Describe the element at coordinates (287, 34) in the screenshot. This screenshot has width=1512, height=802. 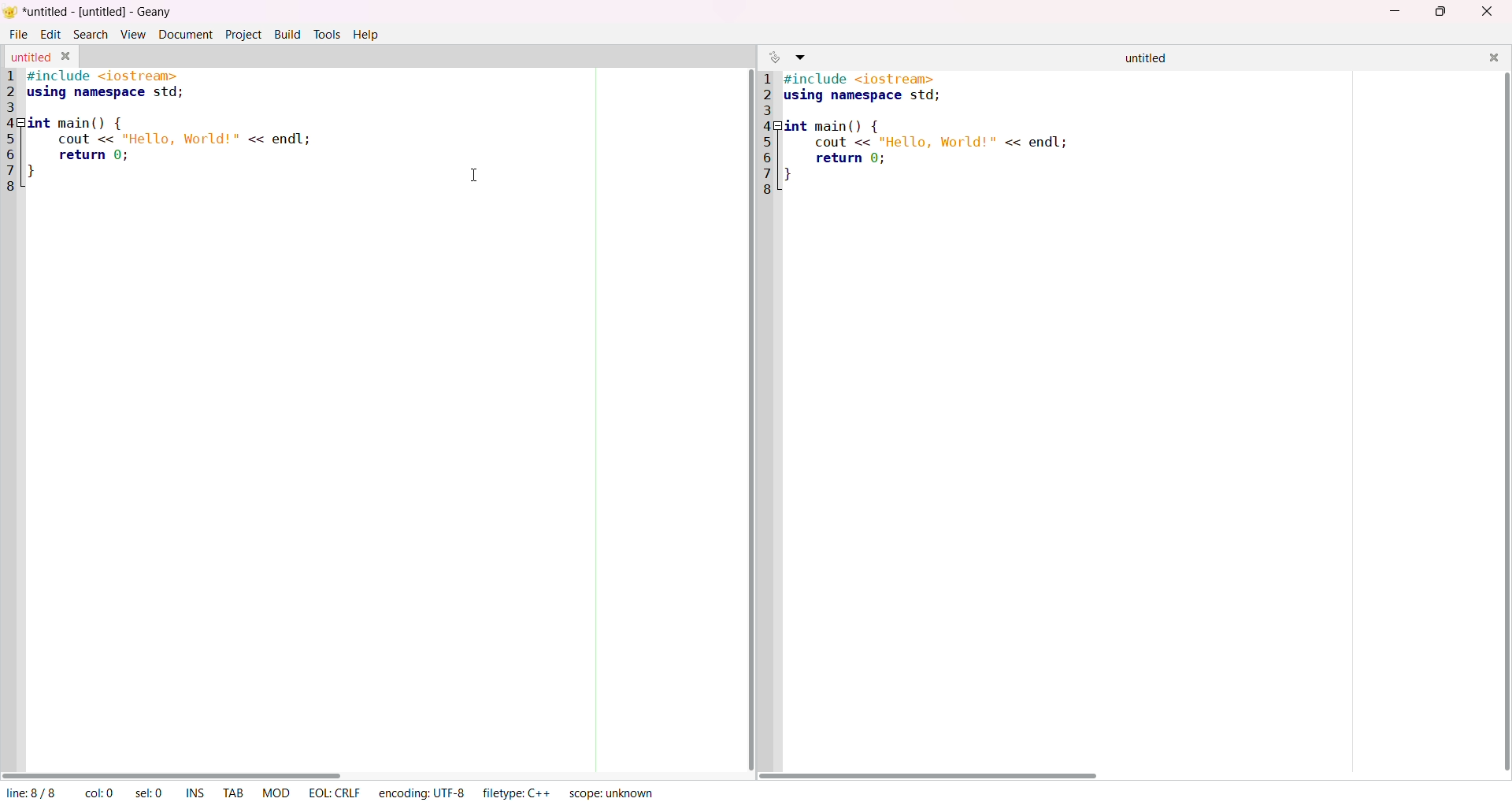
I see `Build` at that location.